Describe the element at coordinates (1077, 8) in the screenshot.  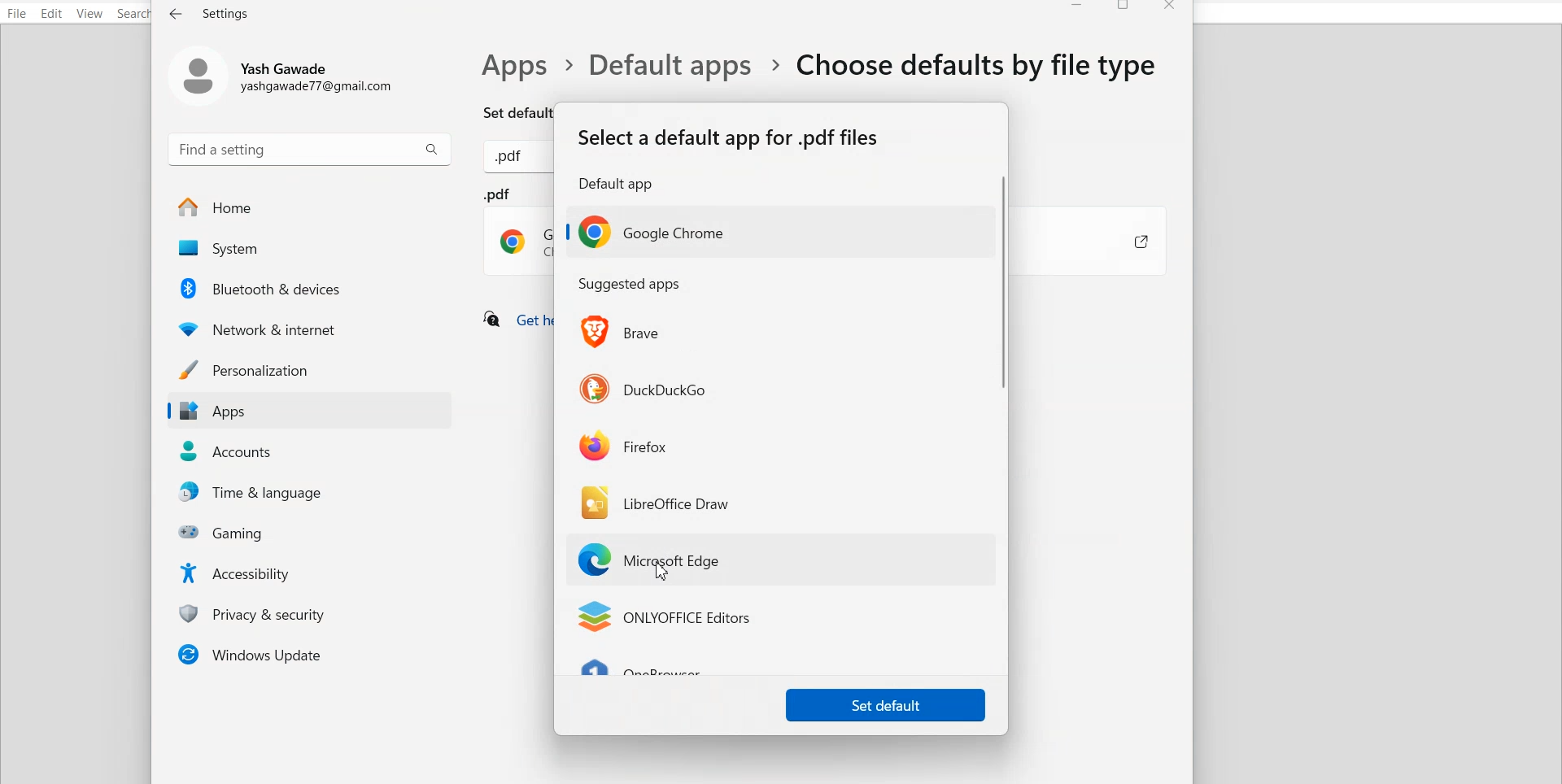
I see `Minimize` at that location.